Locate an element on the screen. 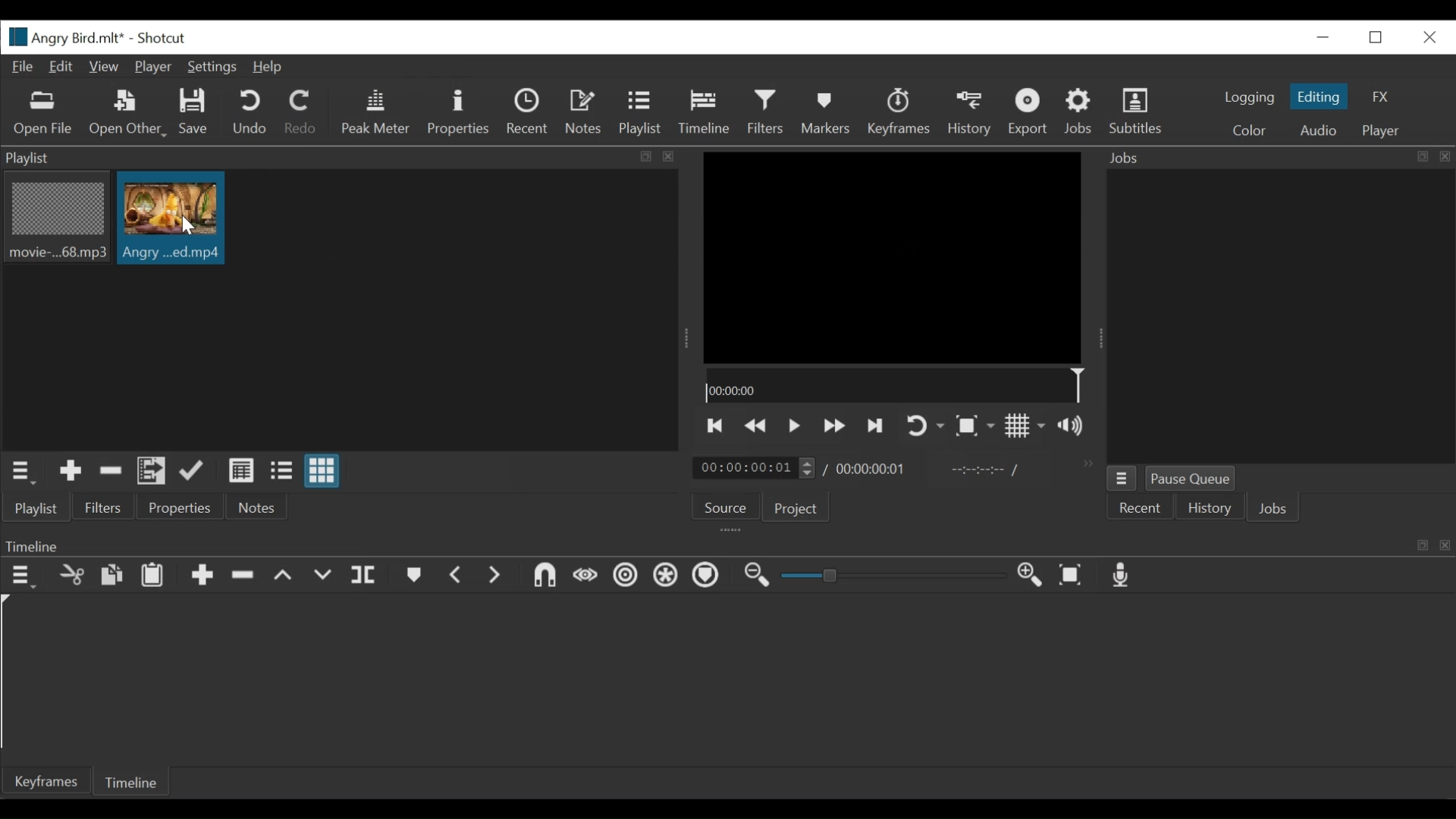 The height and width of the screenshot is (819, 1456). Properties is located at coordinates (457, 114).